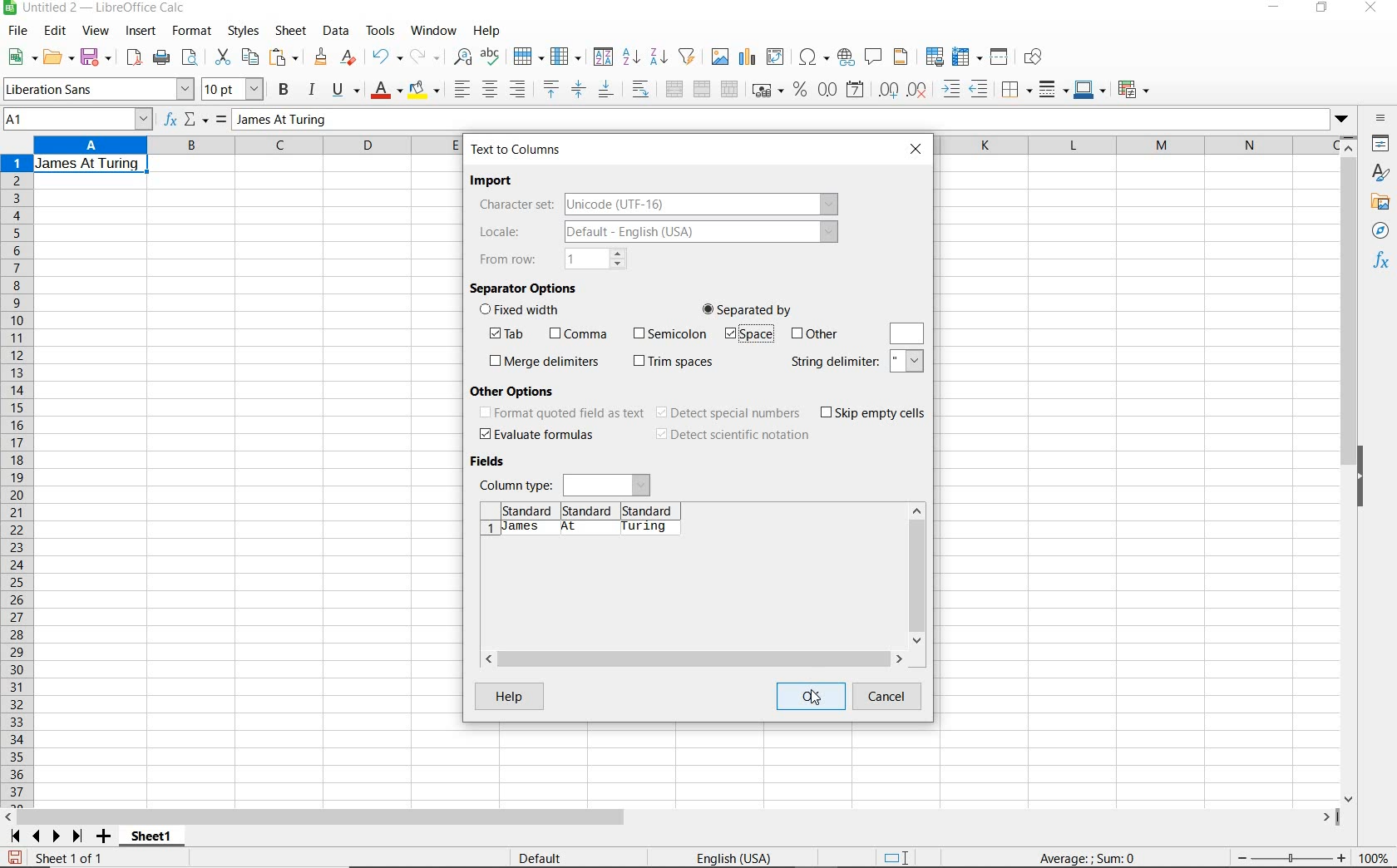 The width and height of the screenshot is (1397, 868). Describe the element at coordinates (605, 89) in the screenshot. I see `align bottom` at that location.